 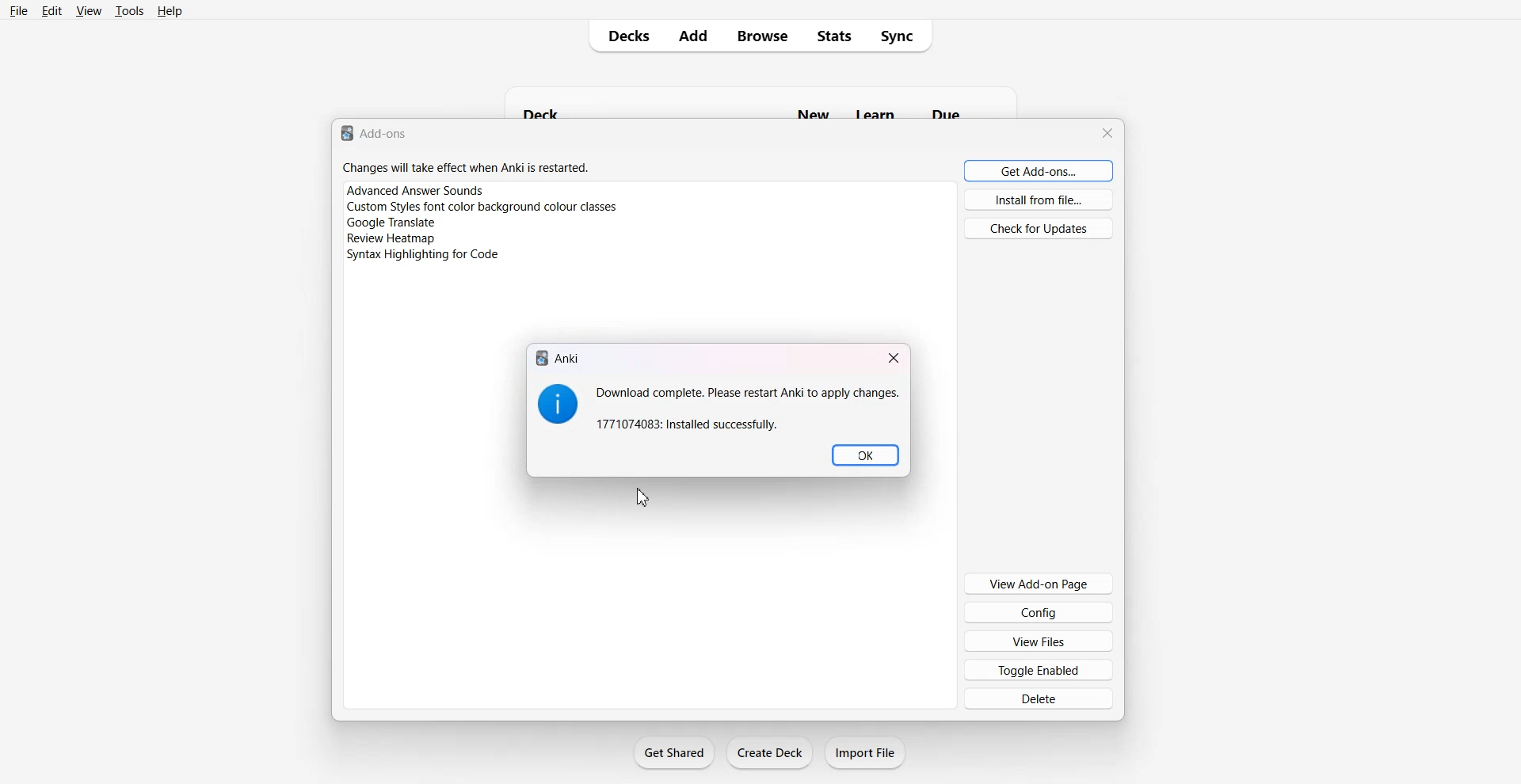 What do you see at coordinates (894, 358) in the screenshot?
I see `Close` at bounding box center [894, 358].